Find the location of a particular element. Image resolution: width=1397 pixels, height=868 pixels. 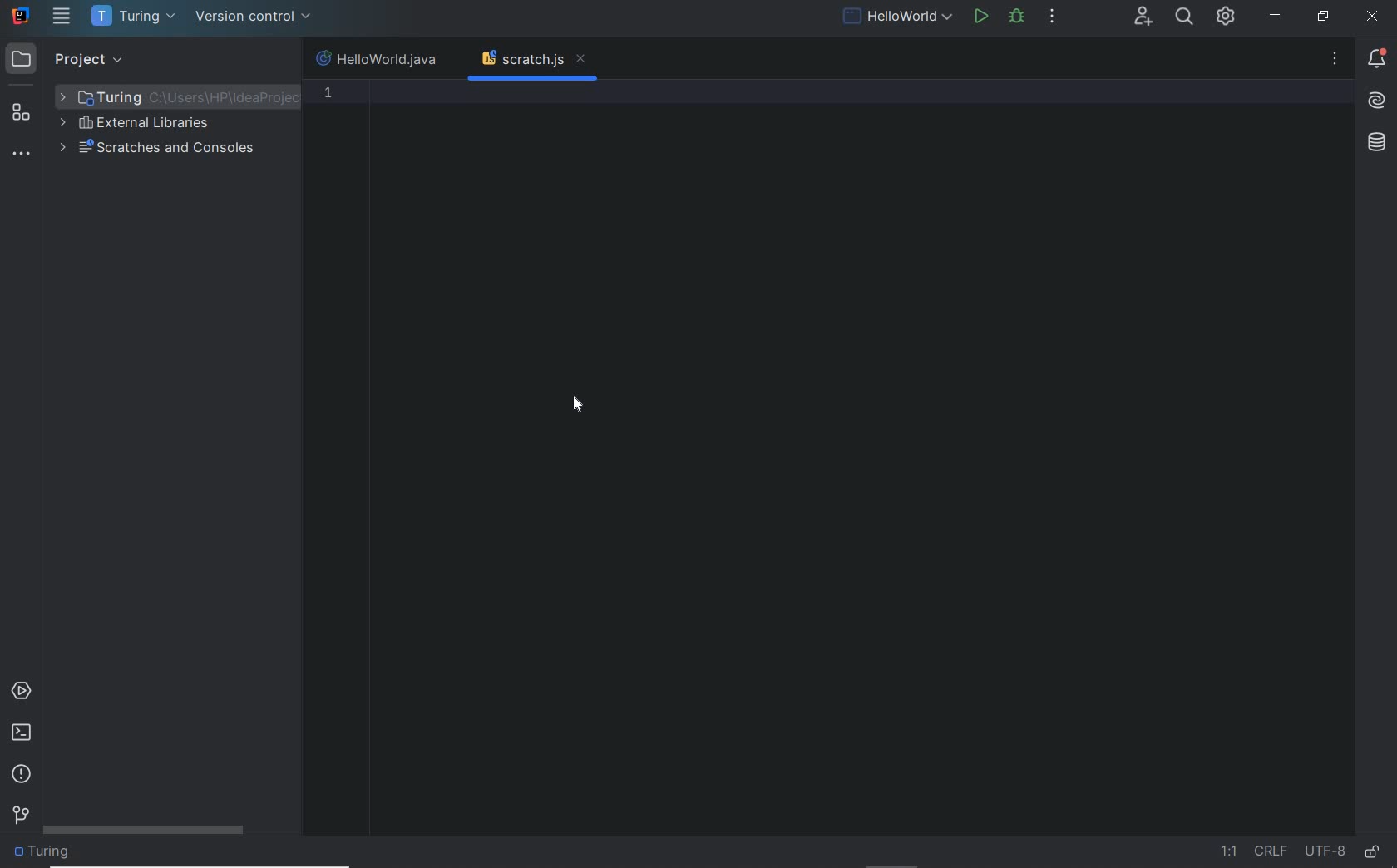

more tool windows is located at coordinates (23, 154).